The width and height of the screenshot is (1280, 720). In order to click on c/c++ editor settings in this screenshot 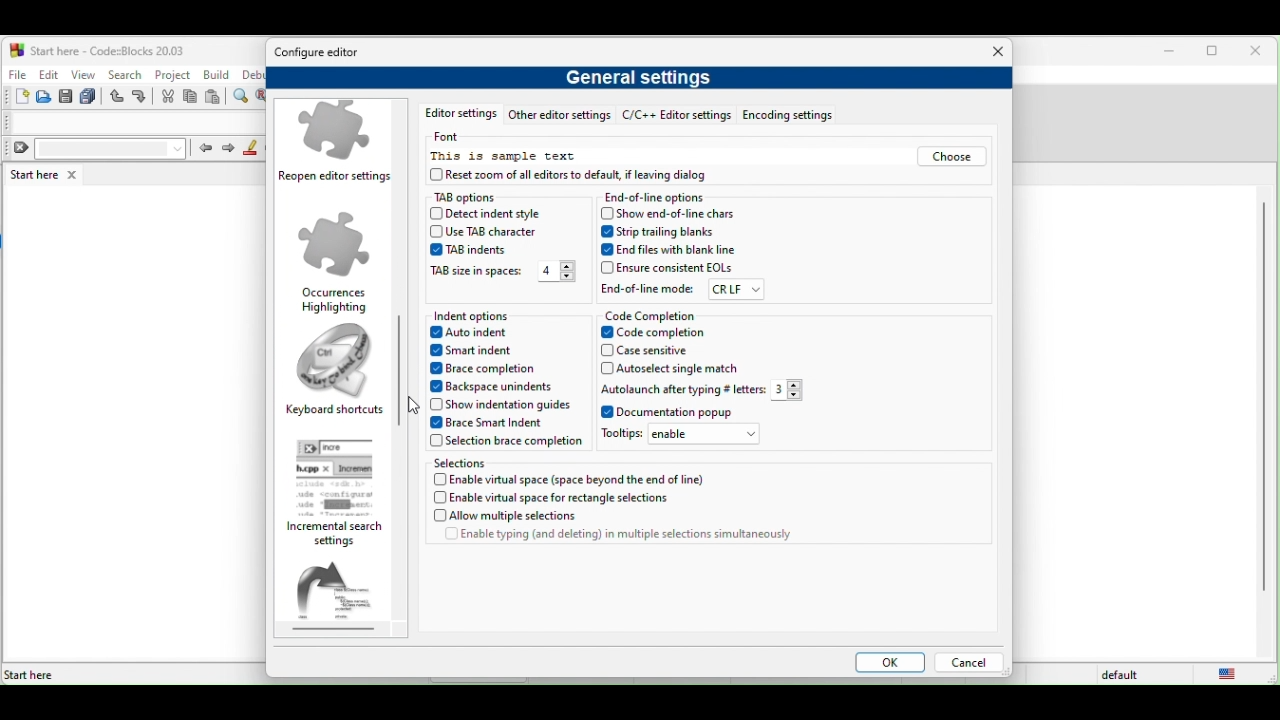, I will do `click(676, 117)`.